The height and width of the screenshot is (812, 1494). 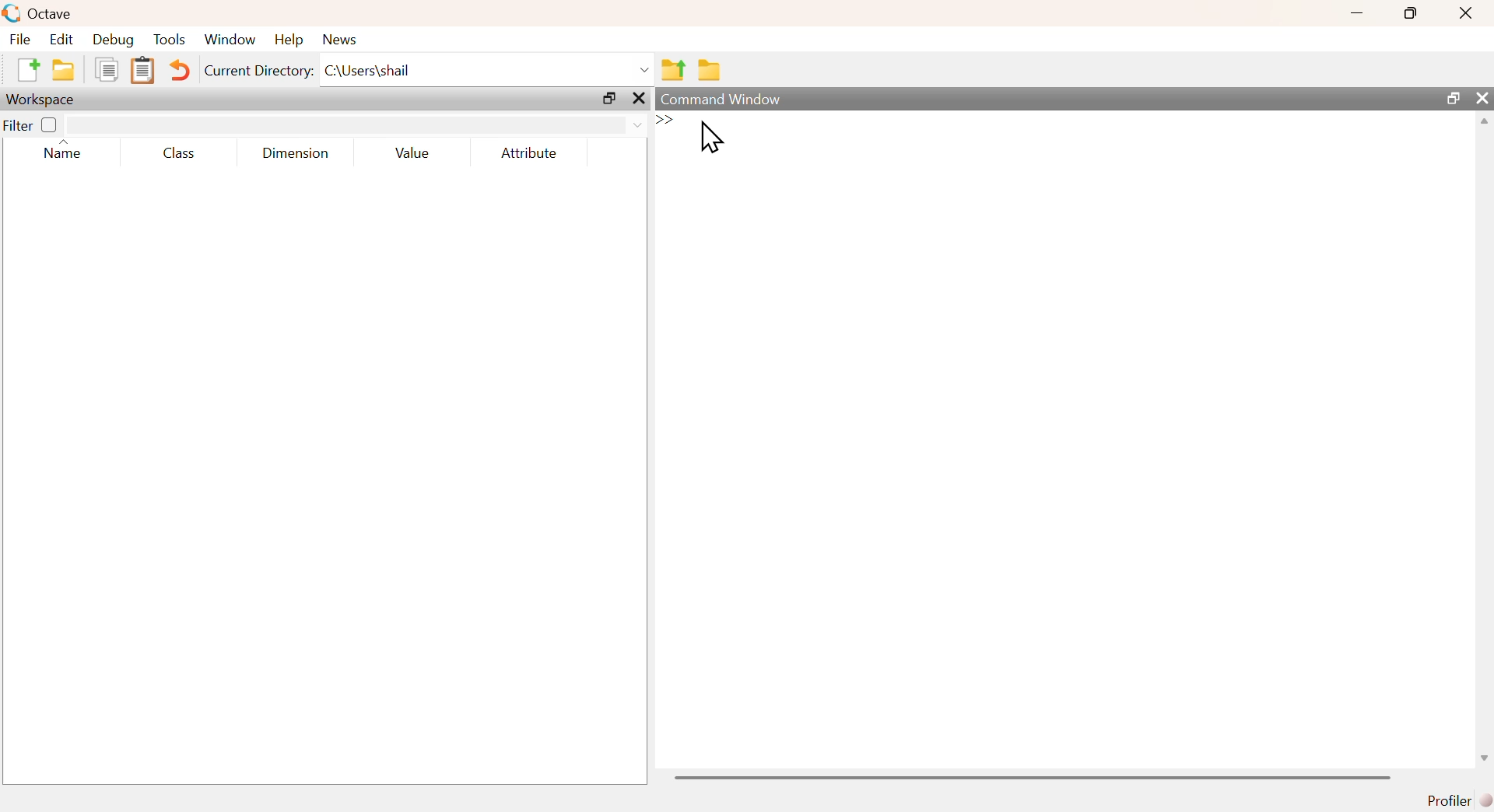 I want to click on class, so click(x=180, y=154).